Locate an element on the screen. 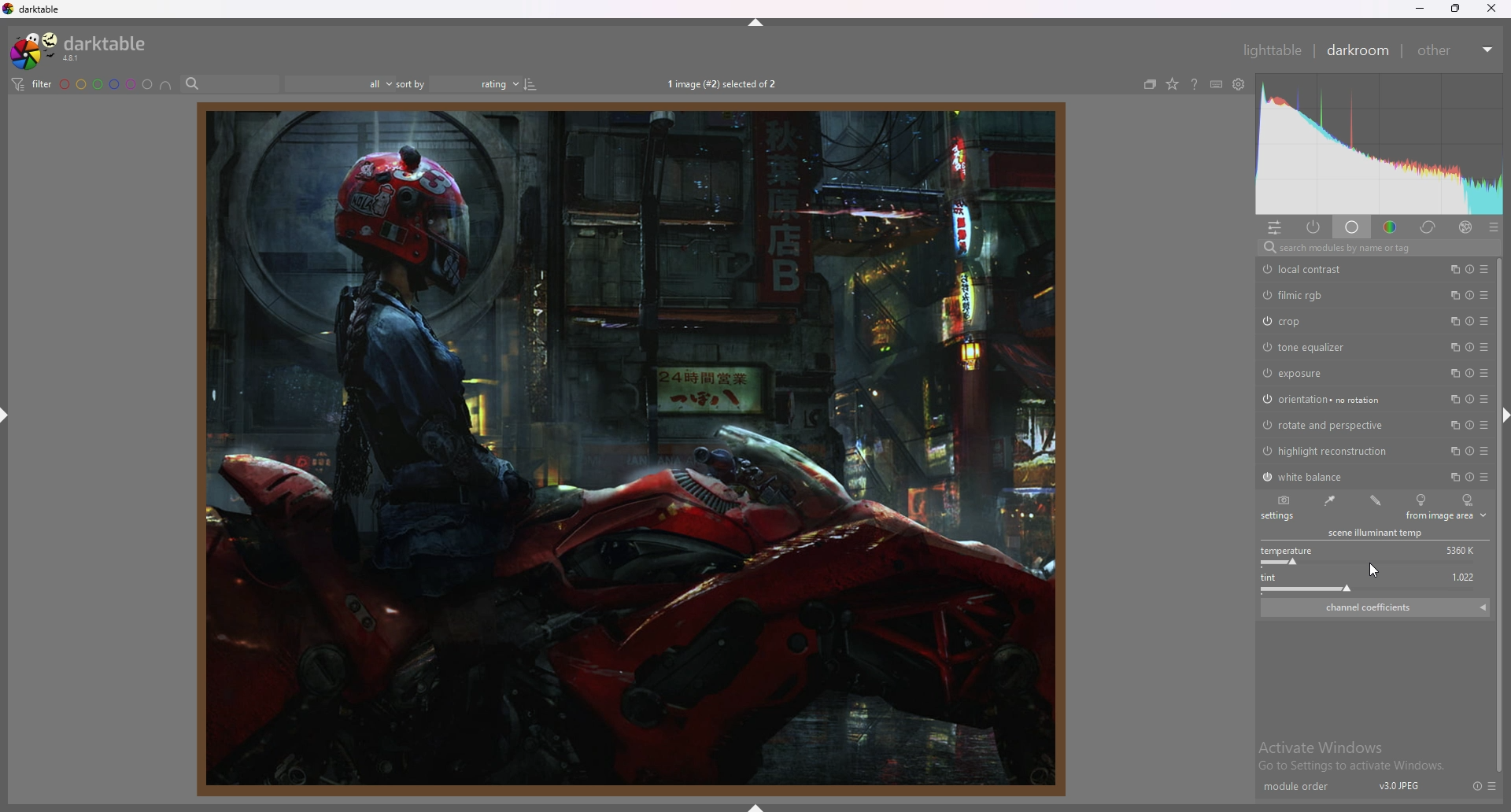 This screenshot has width=1511, height=812. camera reference point is located at coordinates (1421, 500).